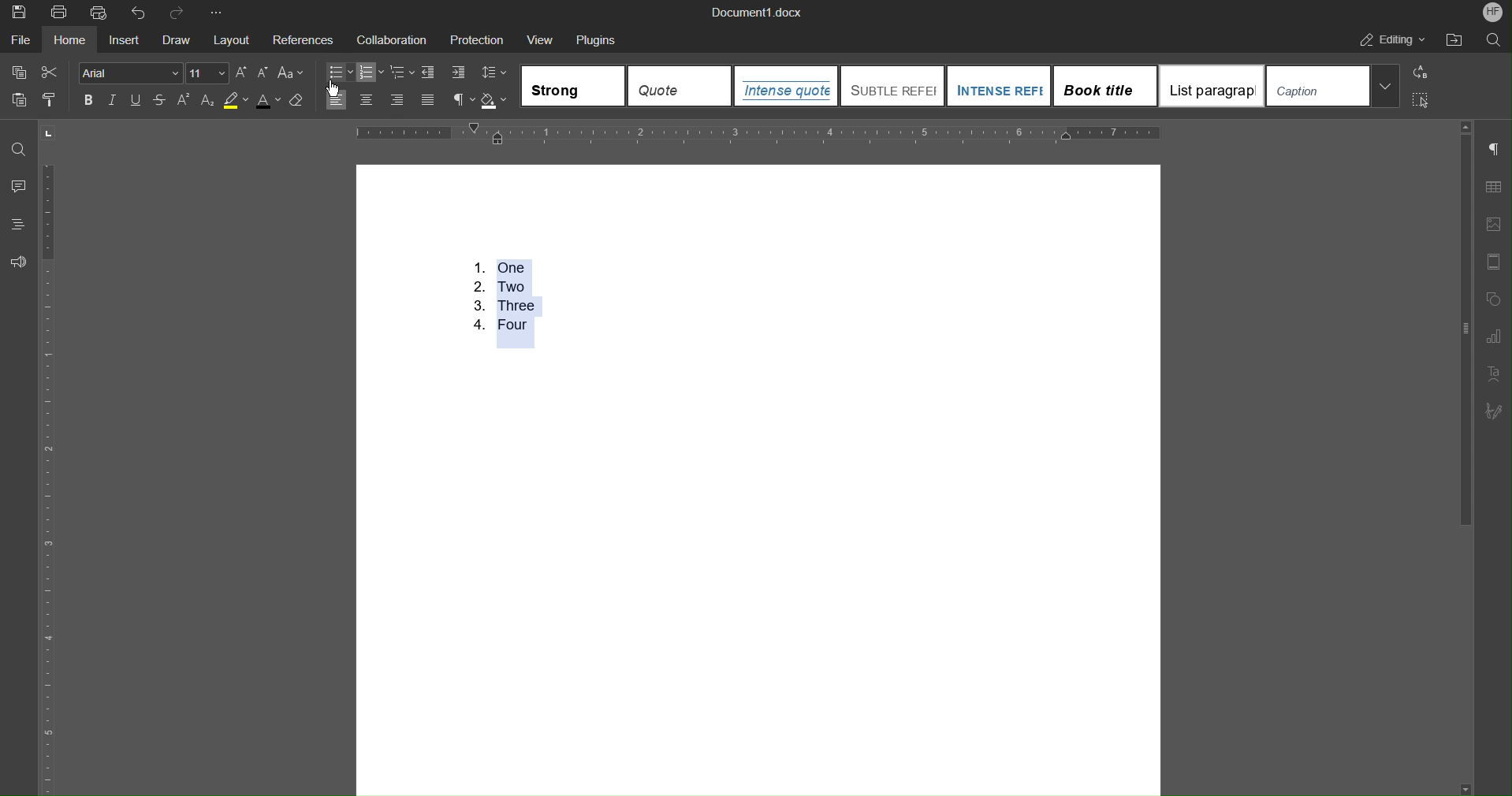 The width and height of the screenshot is (1512, 796). Describe the element at coordinates (998, 84) in the screenshot. I see `Intense Reference` at that location.